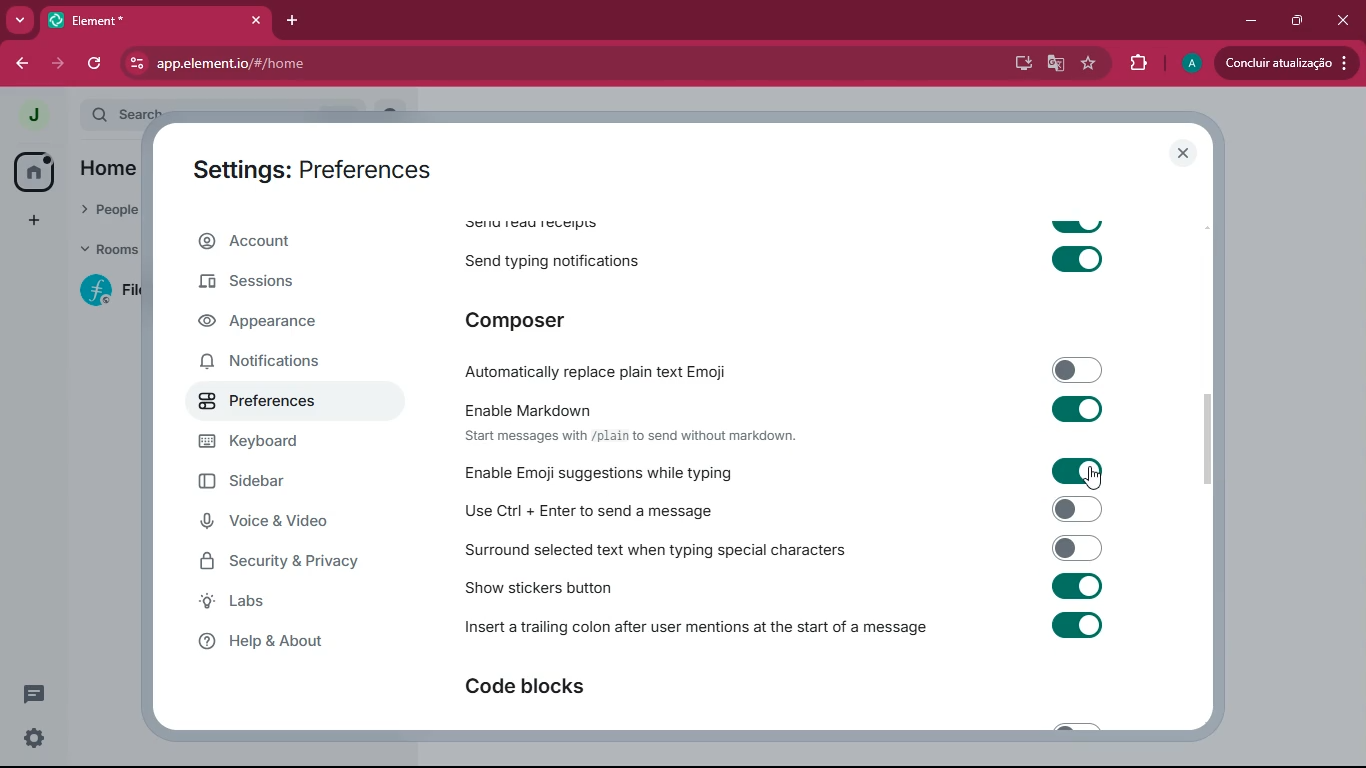 This screenshot has width=1366, height=768. Describe the element at coordinates (809, 509) in the screenshot. I see `enable ctrl enter` at that location.